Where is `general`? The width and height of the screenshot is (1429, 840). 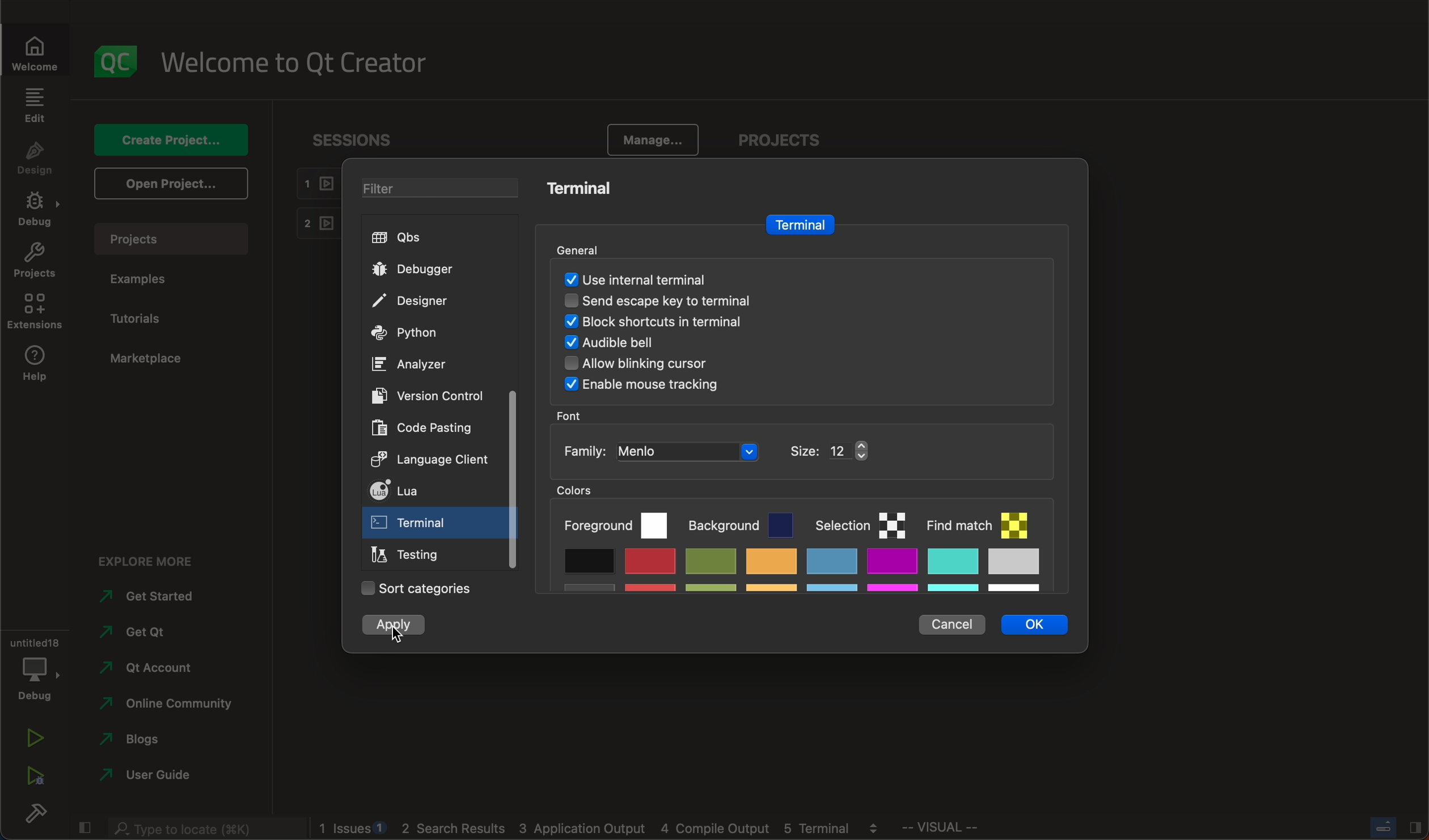
general is located at coordinates (587, 245).